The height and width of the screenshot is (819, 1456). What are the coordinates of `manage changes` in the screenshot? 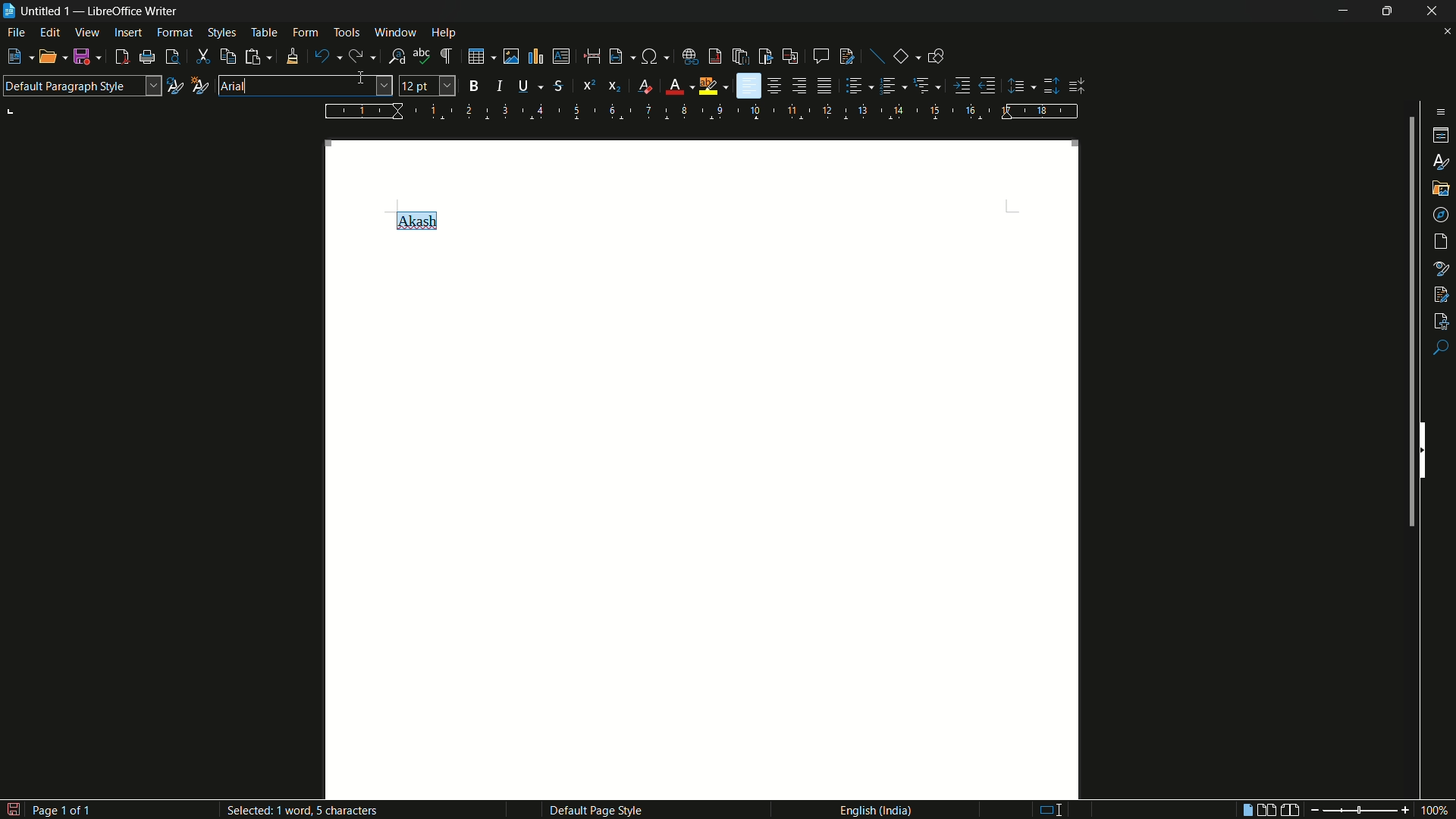 It's located at (1441, 293).